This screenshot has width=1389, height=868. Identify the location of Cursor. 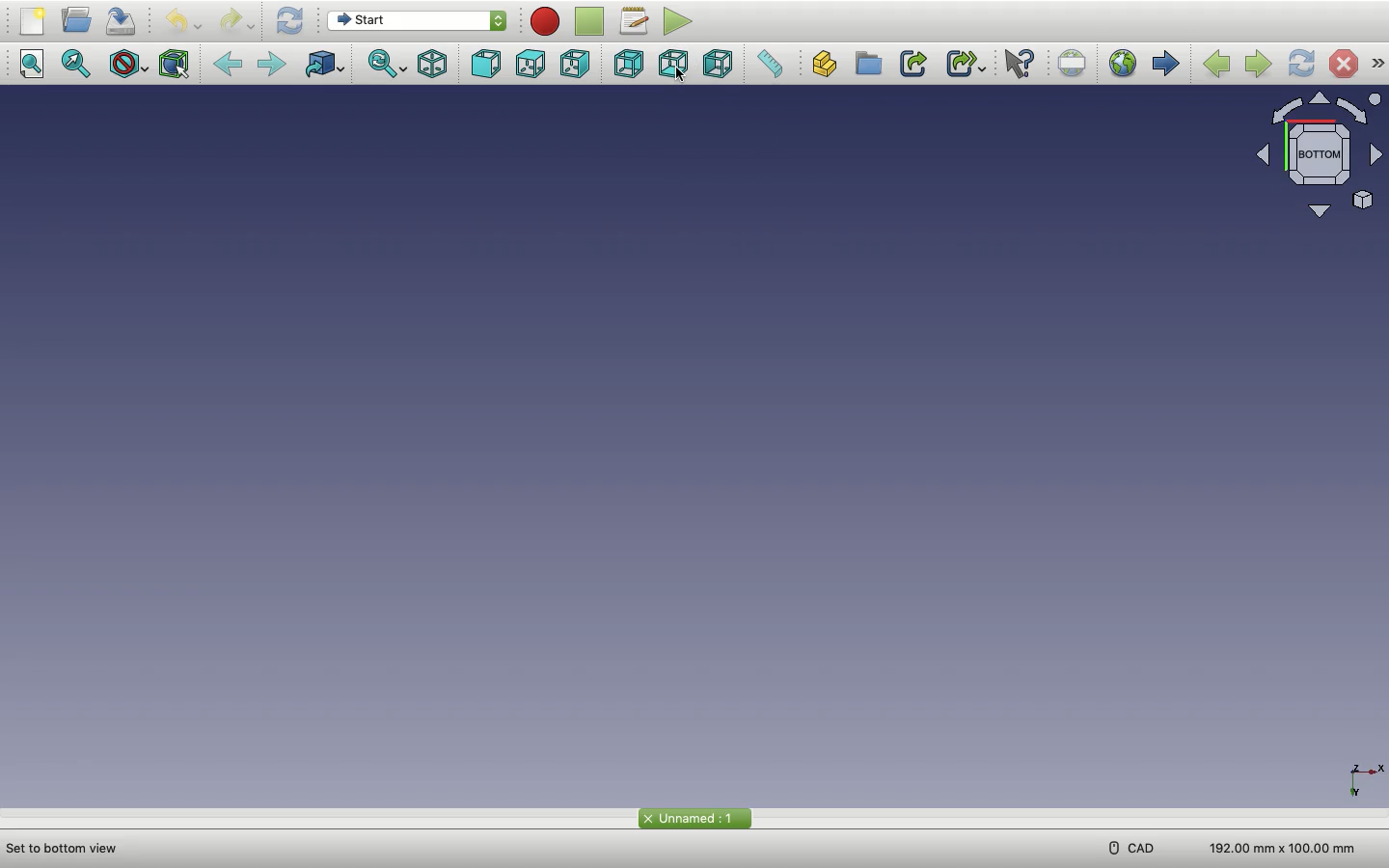
(682, 76).